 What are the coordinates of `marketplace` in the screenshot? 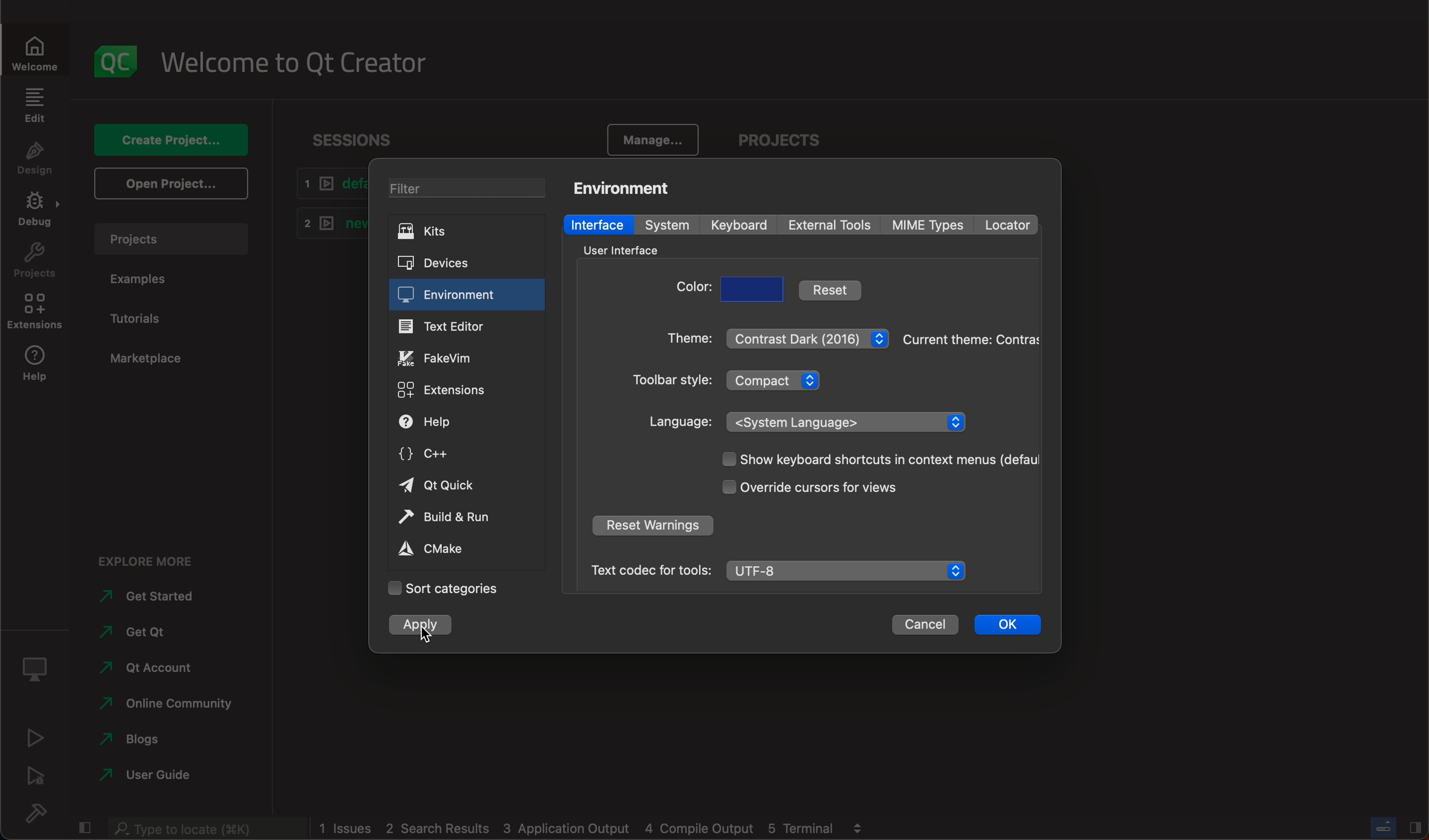 It's located at (142, 356).